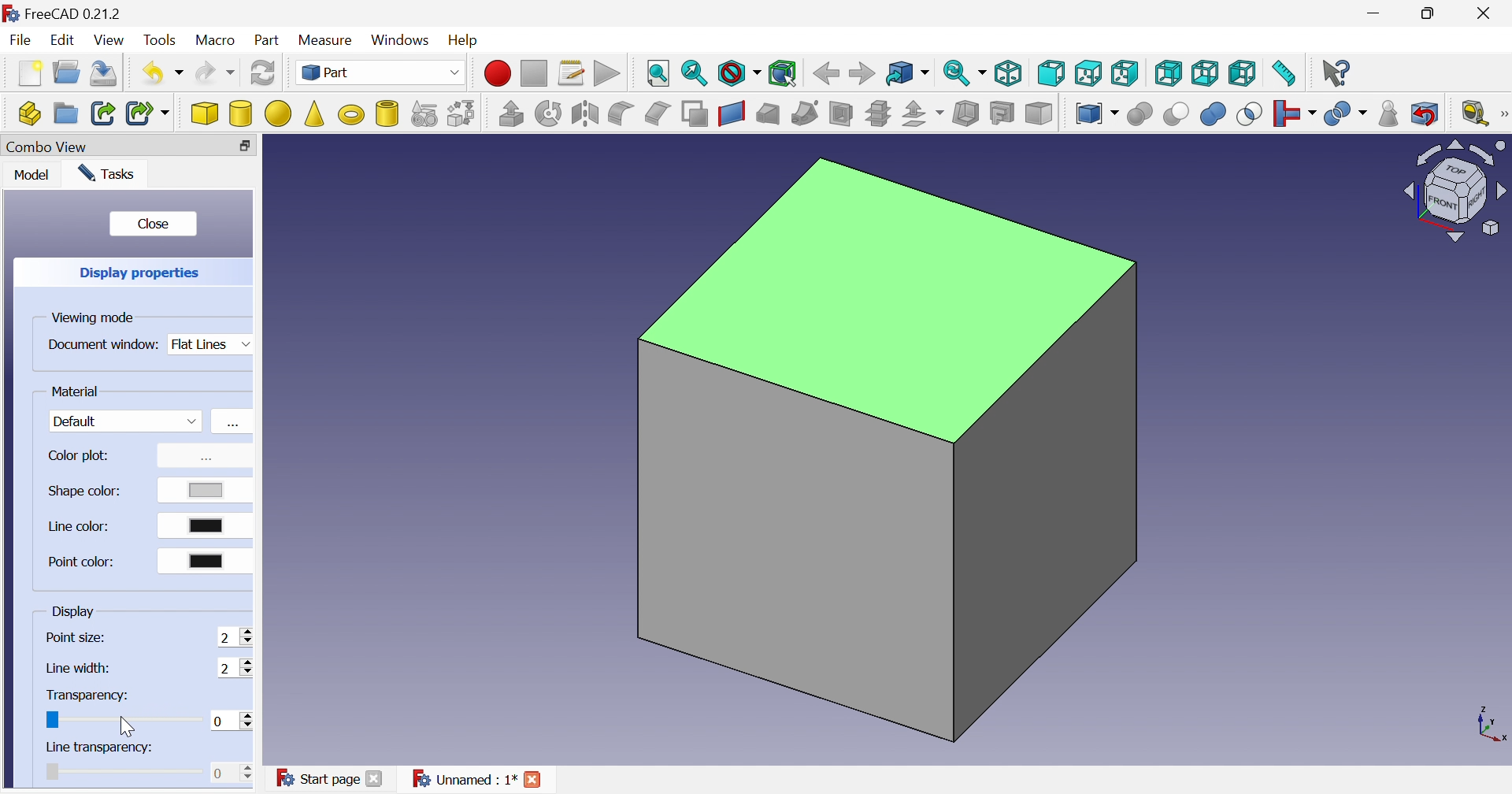  Describe the element at coordinates (1503, 113) in the screenshot. I see `[Measure]` at that location.